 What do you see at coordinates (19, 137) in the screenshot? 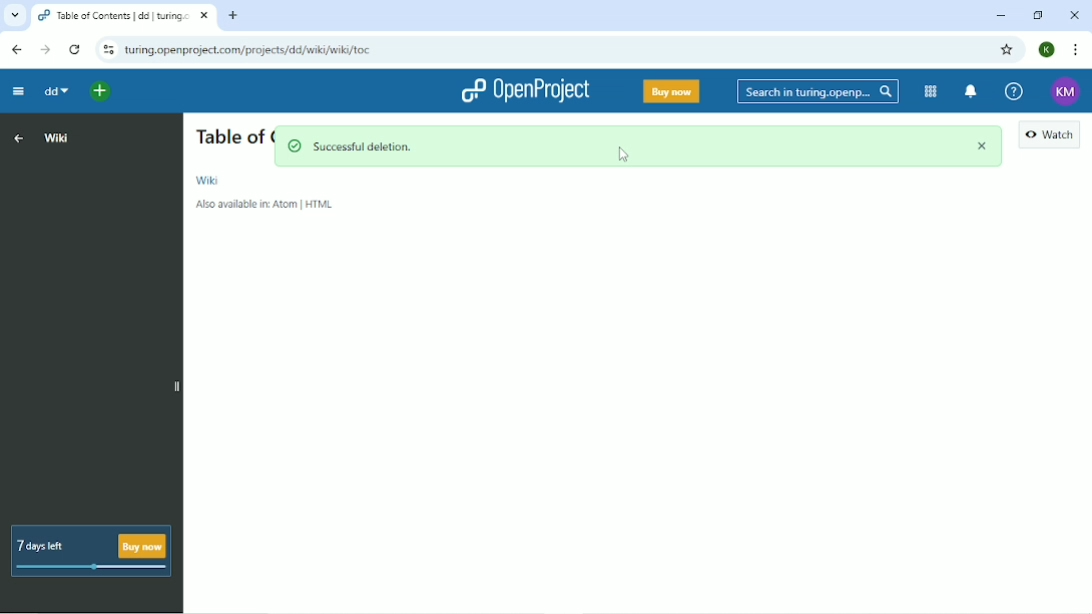
I see `Up` at bounding box center [19, 137].